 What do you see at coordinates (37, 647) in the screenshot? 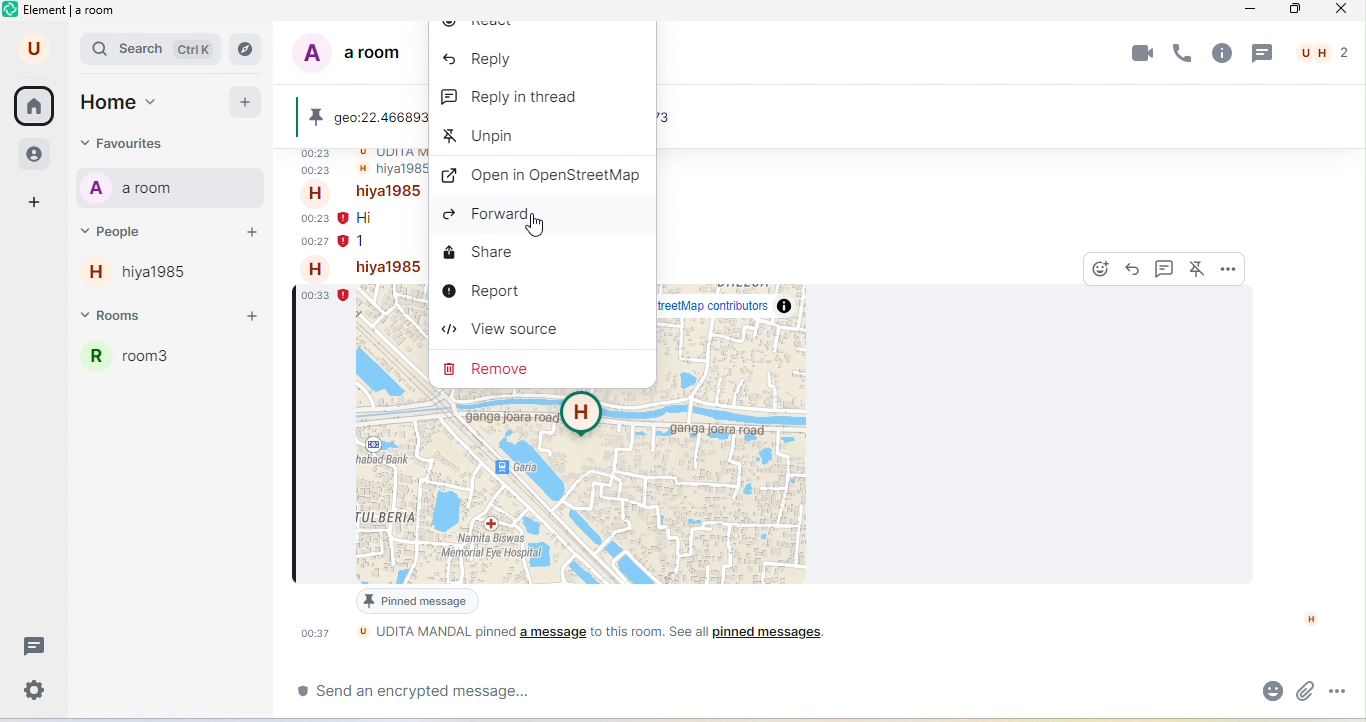
I see `threads` at bounding box center [37, 647].